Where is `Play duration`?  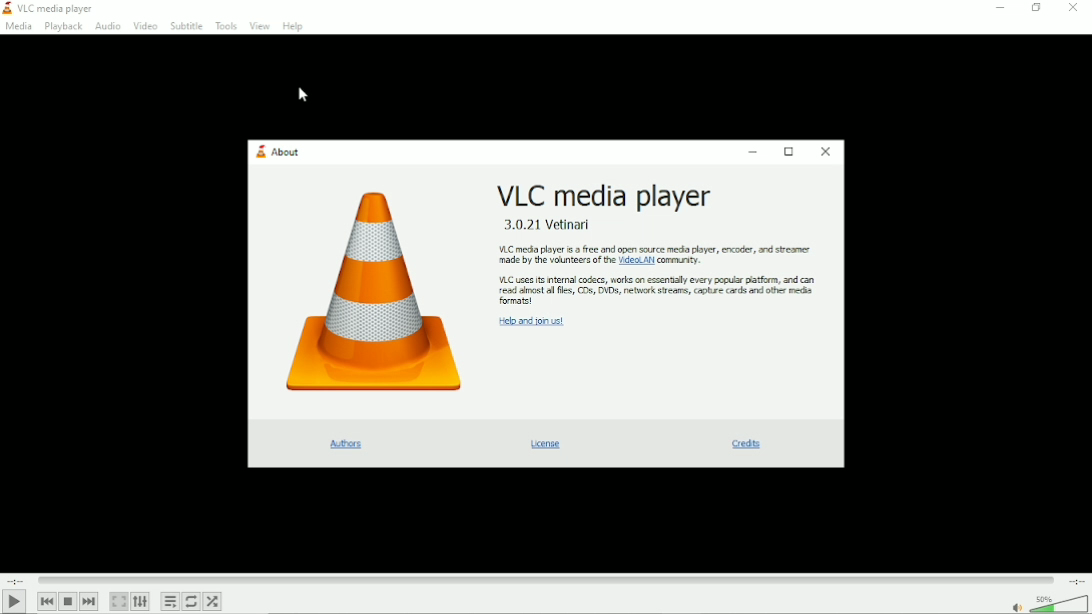
Play duration is located at coordinates (545, 580).